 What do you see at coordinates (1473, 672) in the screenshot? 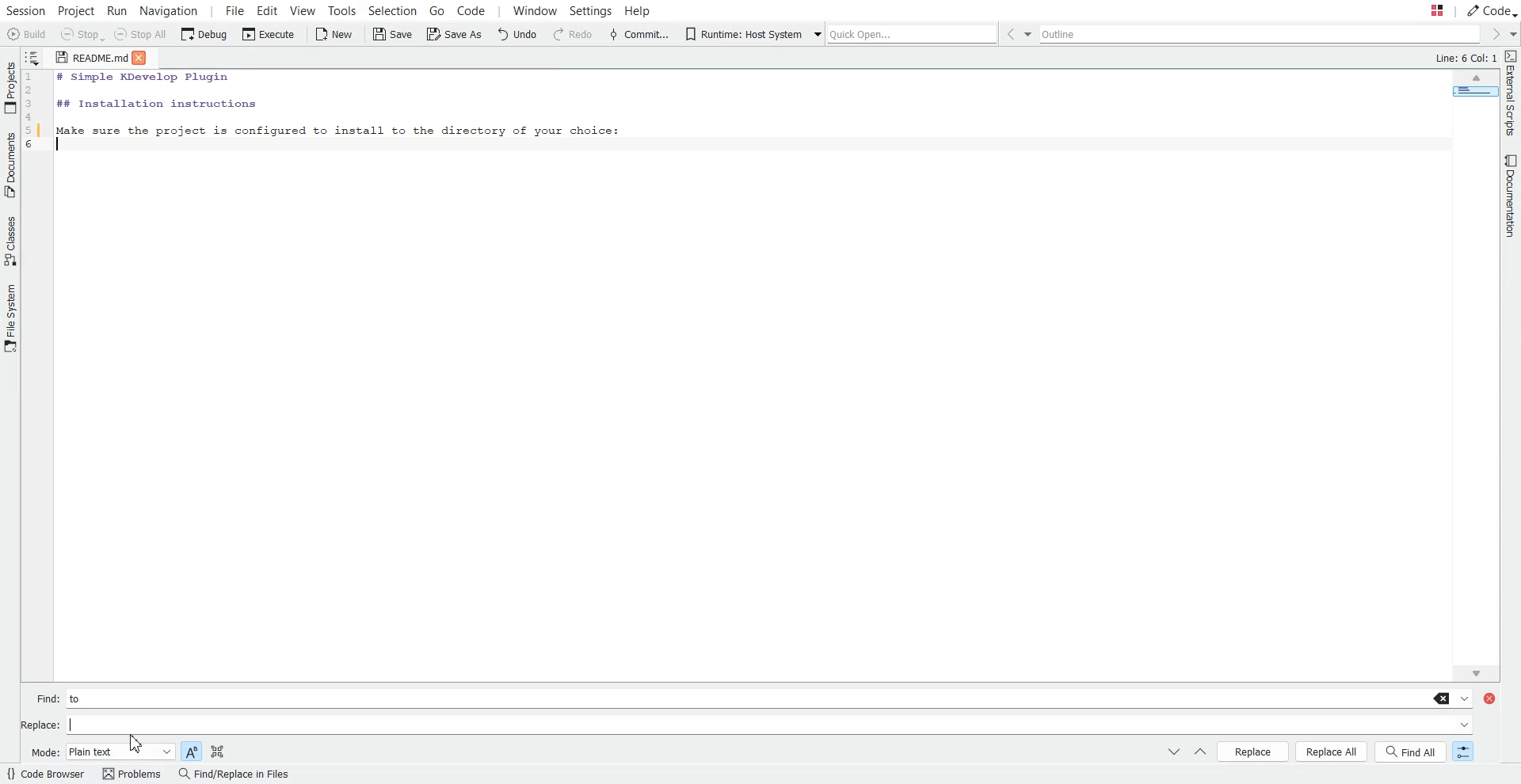
I see `Scroll Down Arrow` at bounding box center [1473, 672].